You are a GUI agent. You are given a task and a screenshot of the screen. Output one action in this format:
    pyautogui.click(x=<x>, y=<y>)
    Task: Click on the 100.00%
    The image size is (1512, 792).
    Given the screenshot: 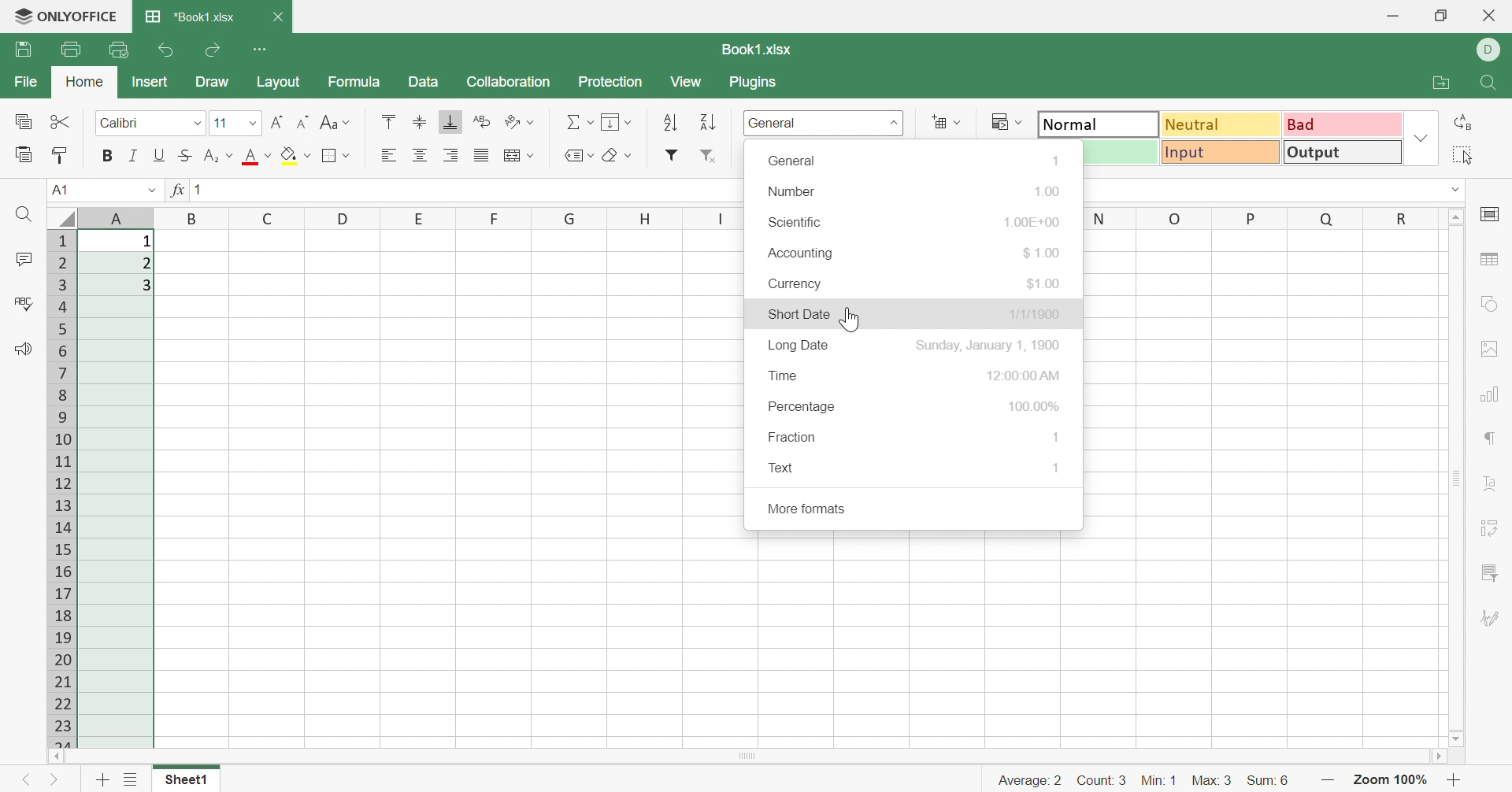 What is the action you would take?
    pyautogui.click(x=1035, y=406)
    